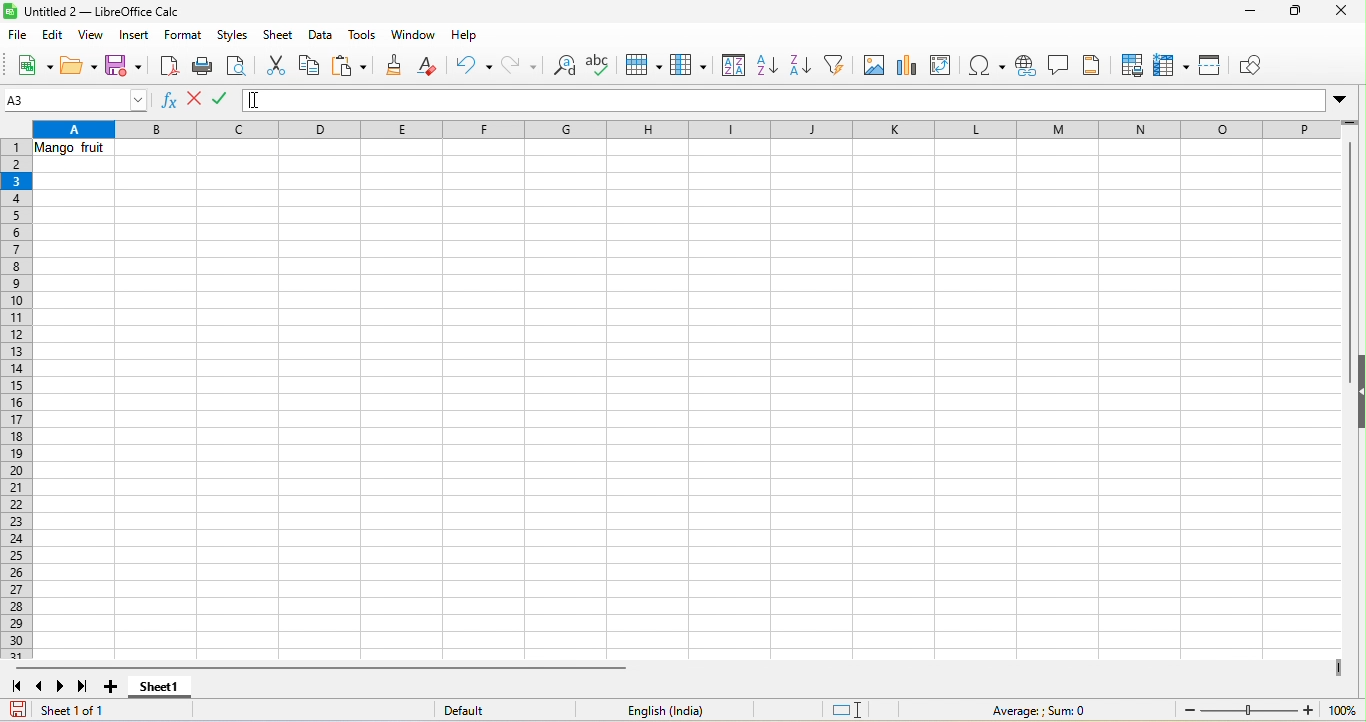  I want to click on freeze row and column, so click(1174, 65).